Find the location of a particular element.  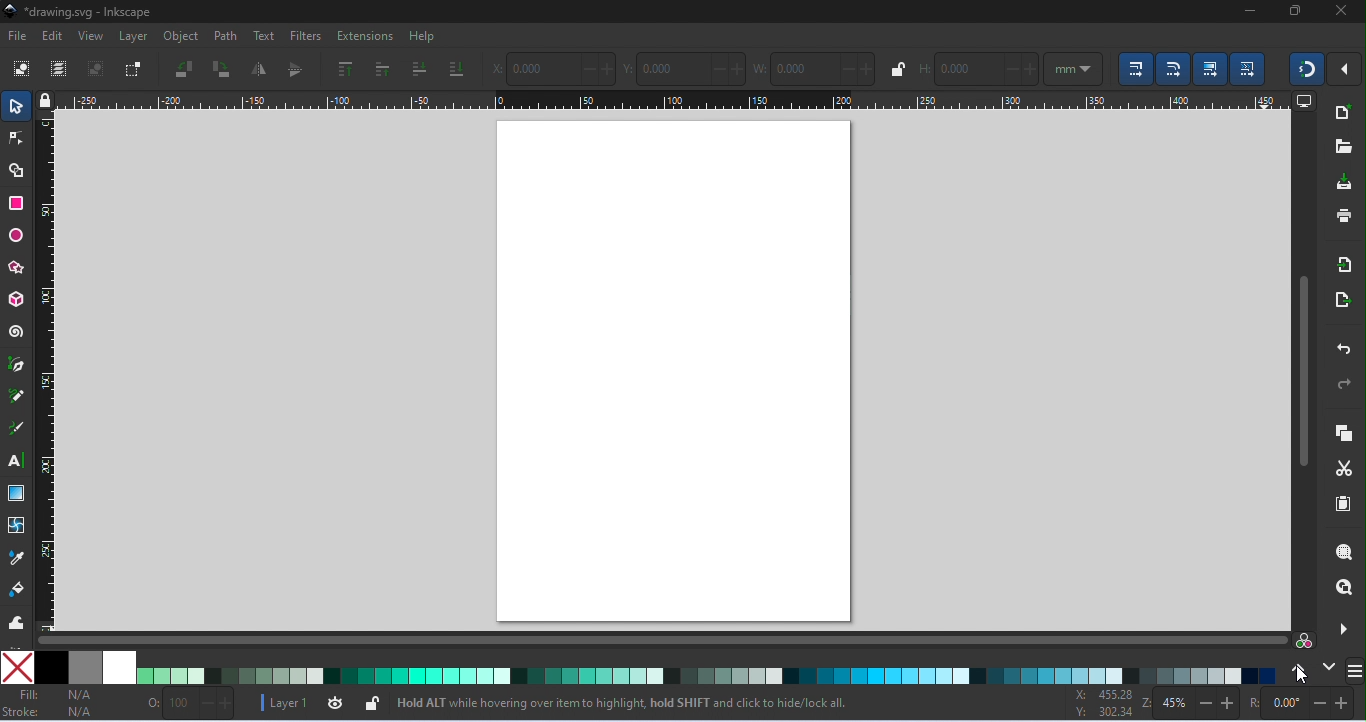

zoom percentage is located at coordinates (1191, 703).